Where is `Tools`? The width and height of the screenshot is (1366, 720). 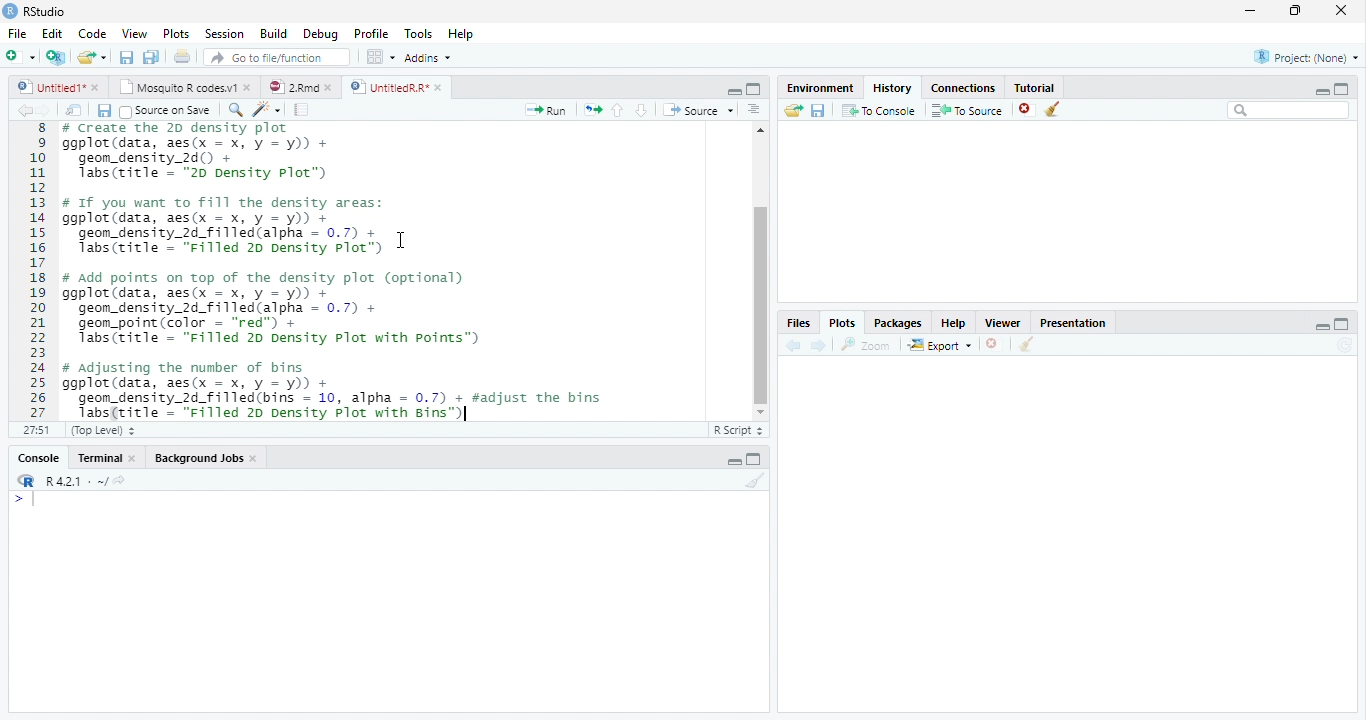
Tools is located at coordinates (419, 34).